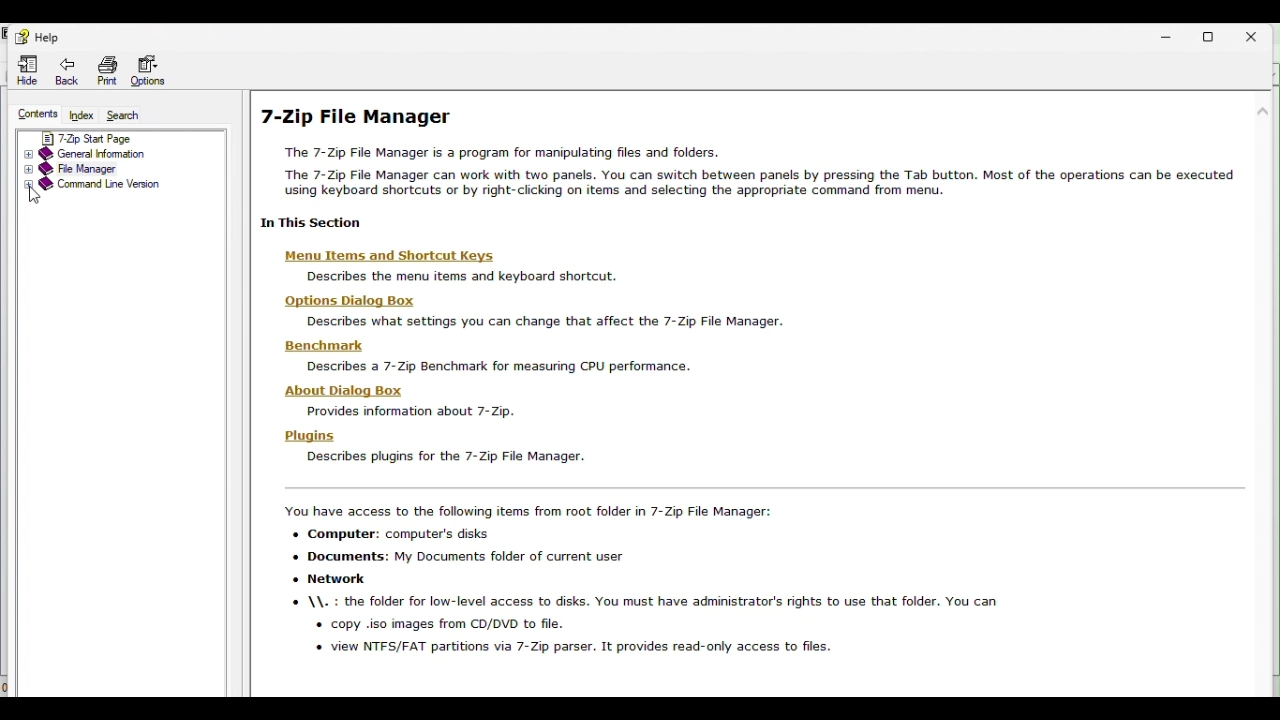  I want to click on Back, so click(67, 70).